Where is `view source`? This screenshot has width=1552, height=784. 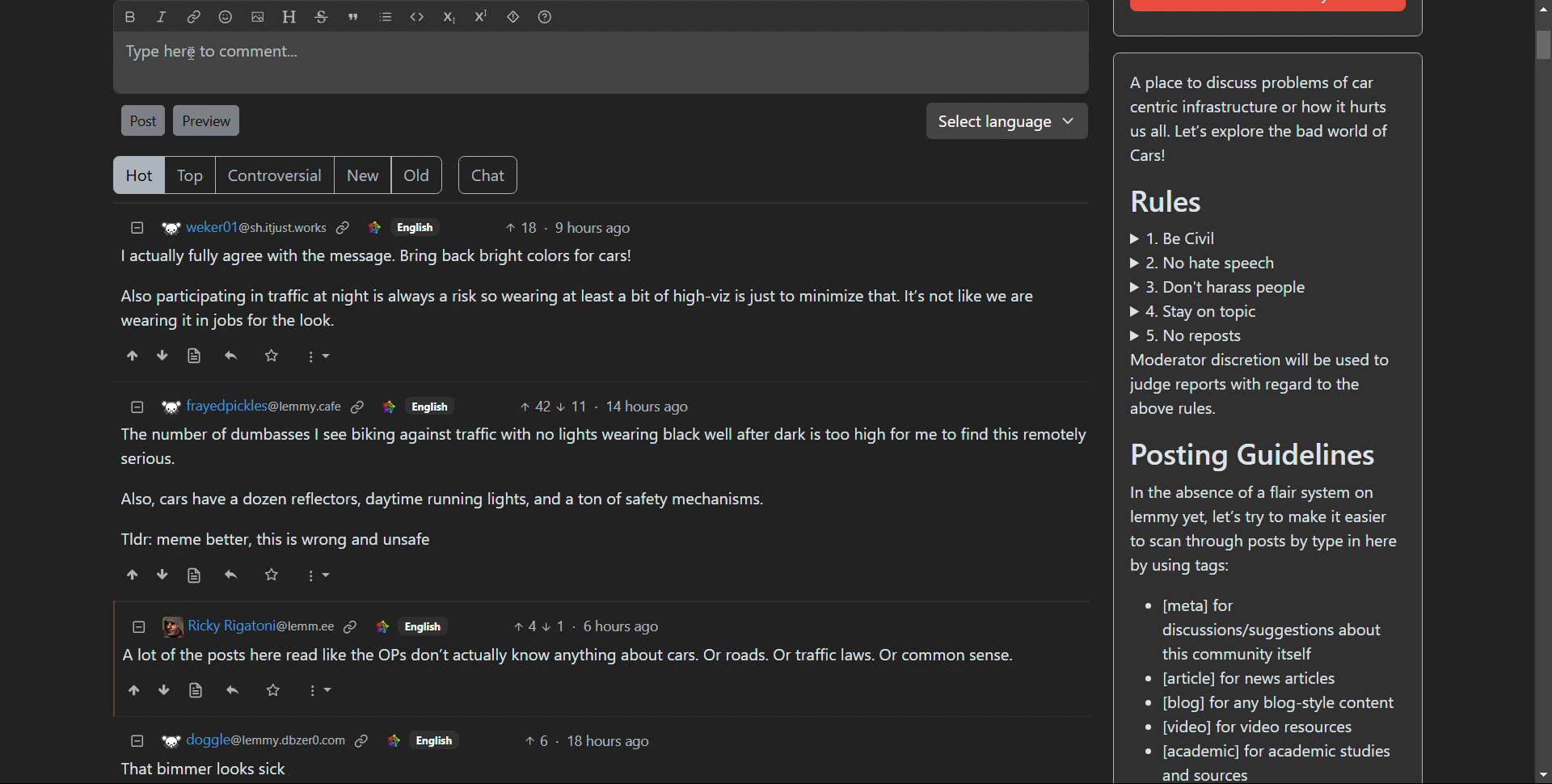
view source is located at coordinates (196, 691).